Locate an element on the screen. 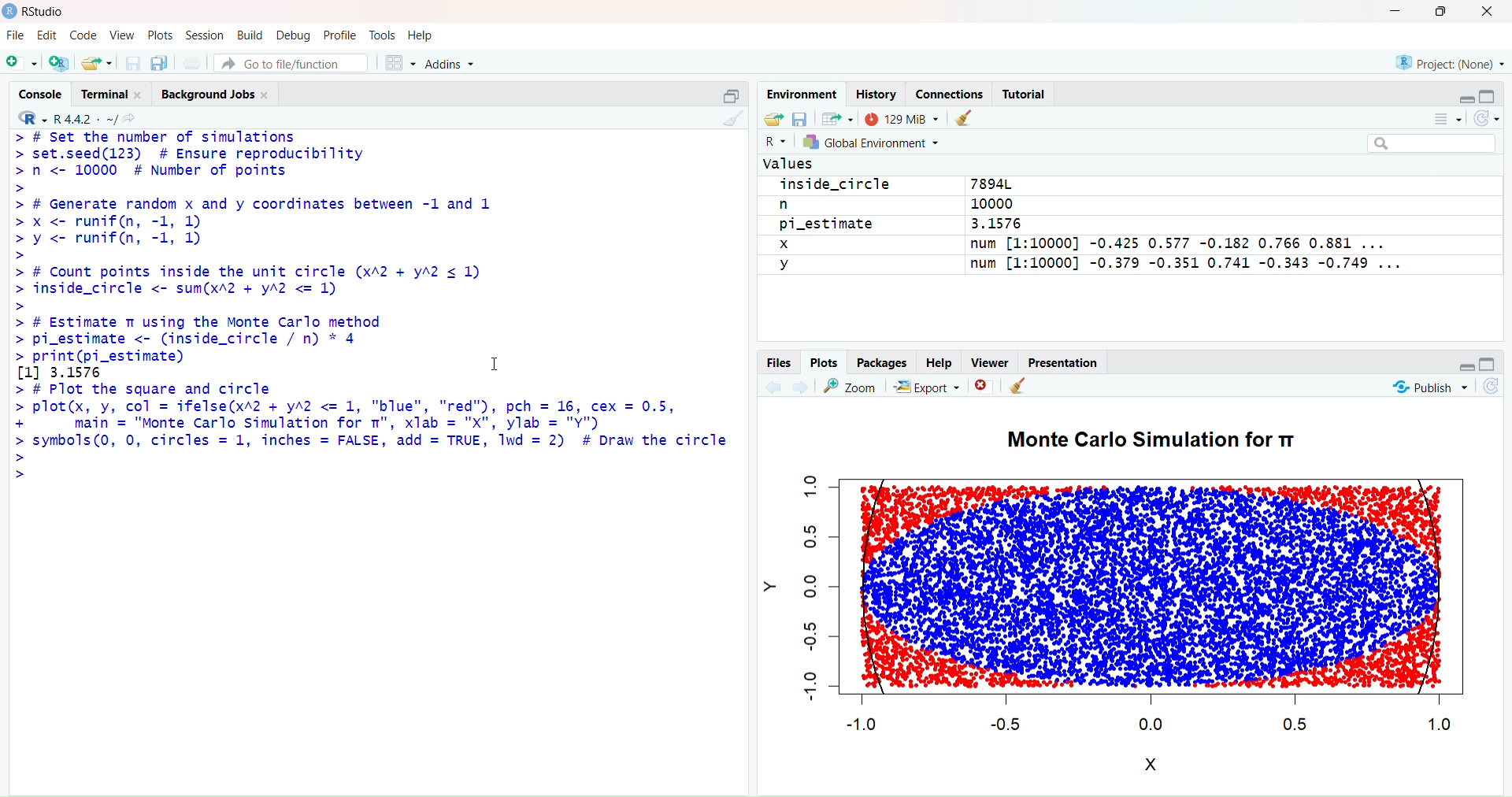 The height and width of the screenshot is (797, 1512). Open an existing file (Ctrl + O) is located at coordinates (98, 61).